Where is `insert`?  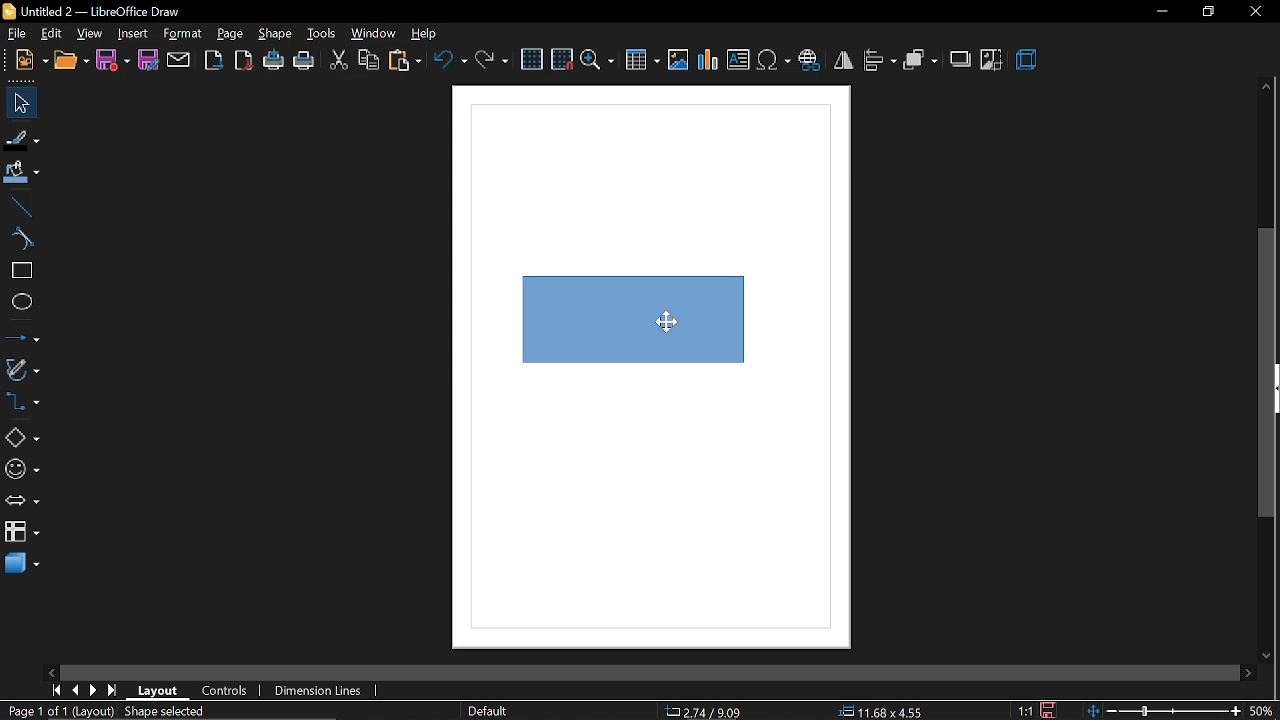 insert is located at coordinates (132, 34).